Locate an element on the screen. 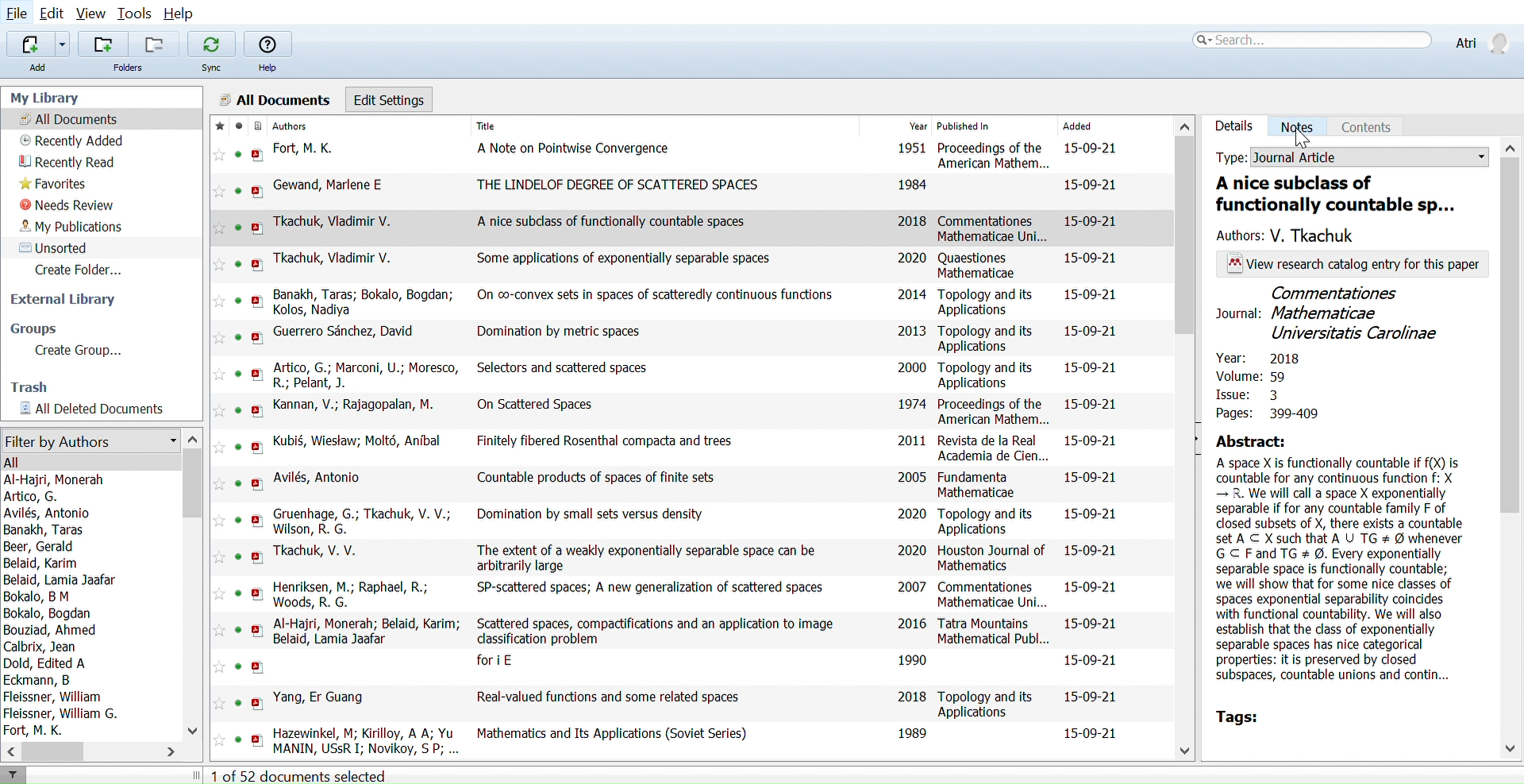 Image resolution: width=1524 pixels, height=784 pixels. Add this reference to favorites is located at coordinates (219, 593).